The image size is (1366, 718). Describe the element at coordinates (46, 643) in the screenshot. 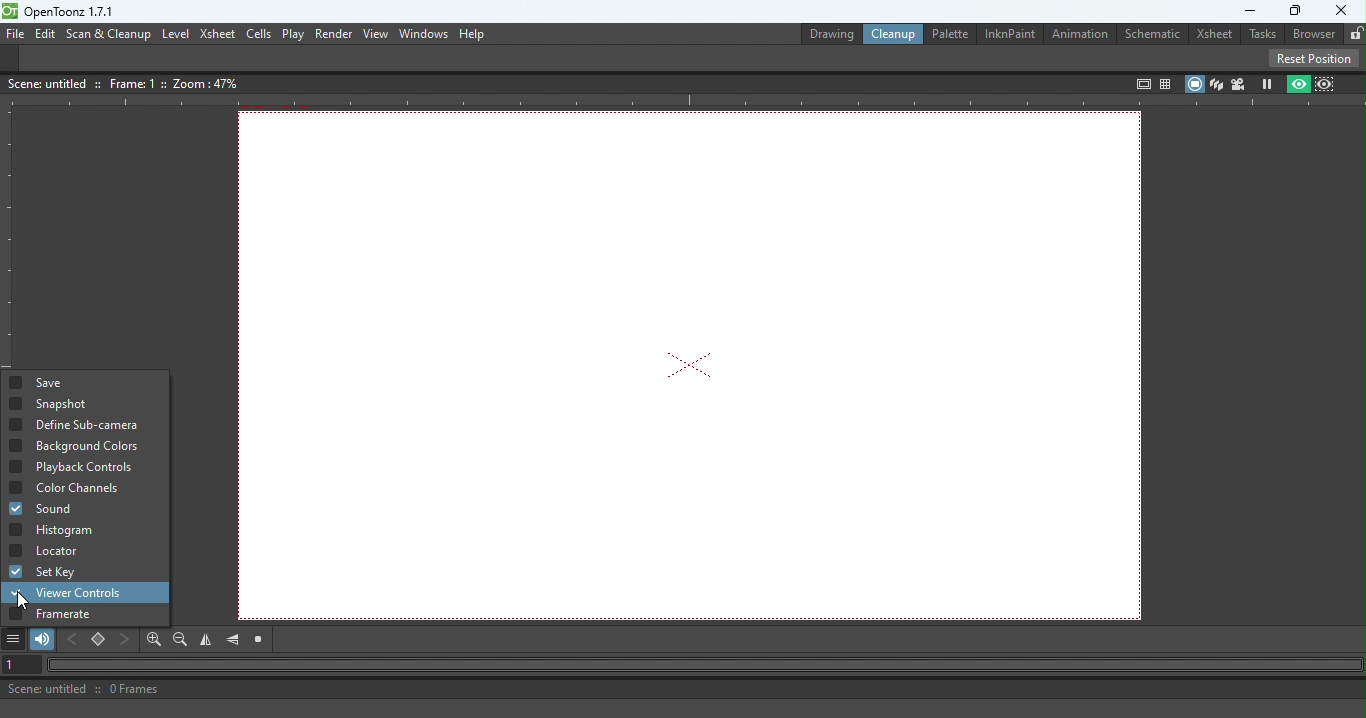

I see `Soundtrack` at that location.